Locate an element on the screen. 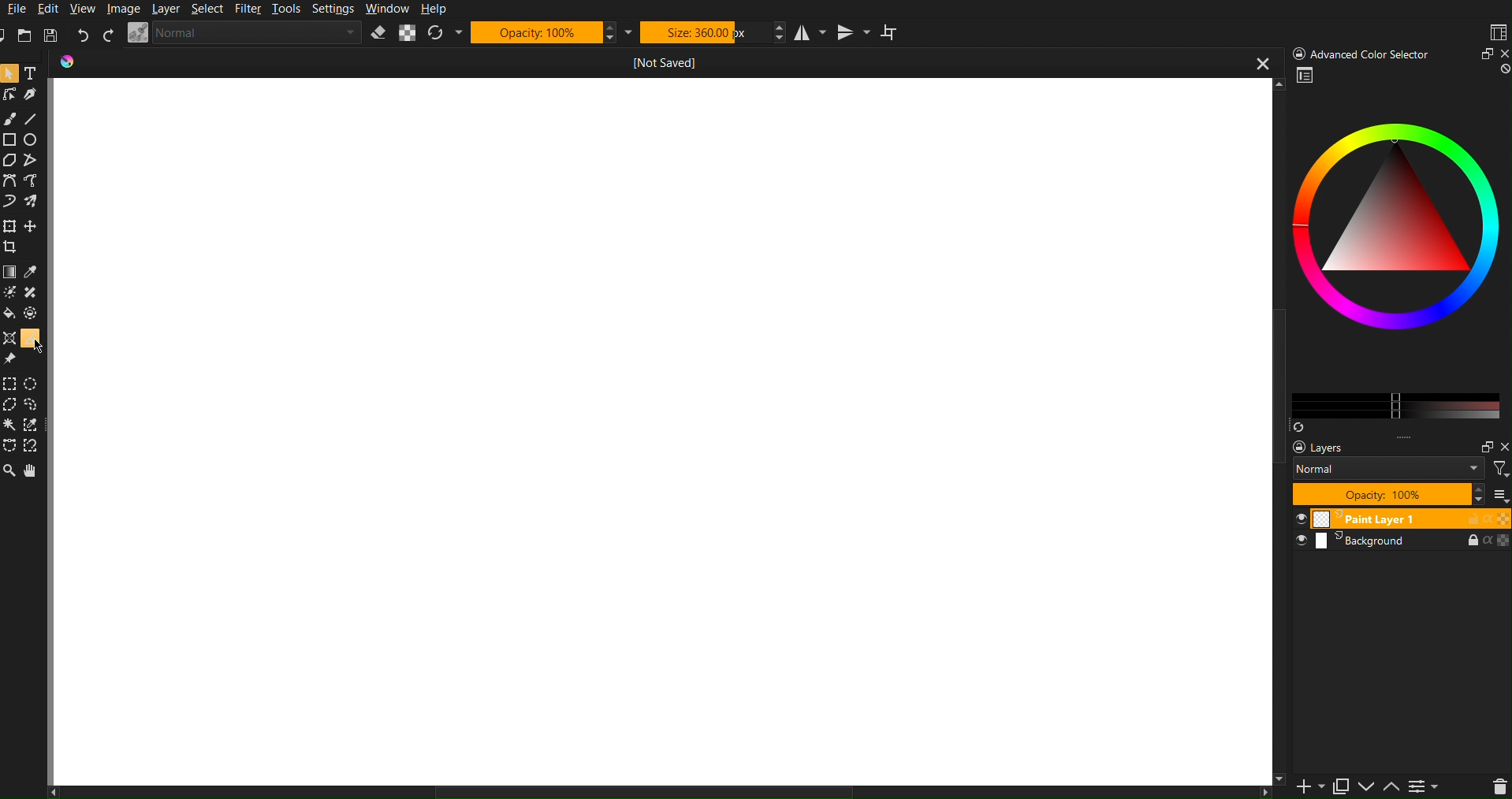 The width and height of the screenshot is (1512, 799). Lineart Tool is located at coordinates (9, 95).